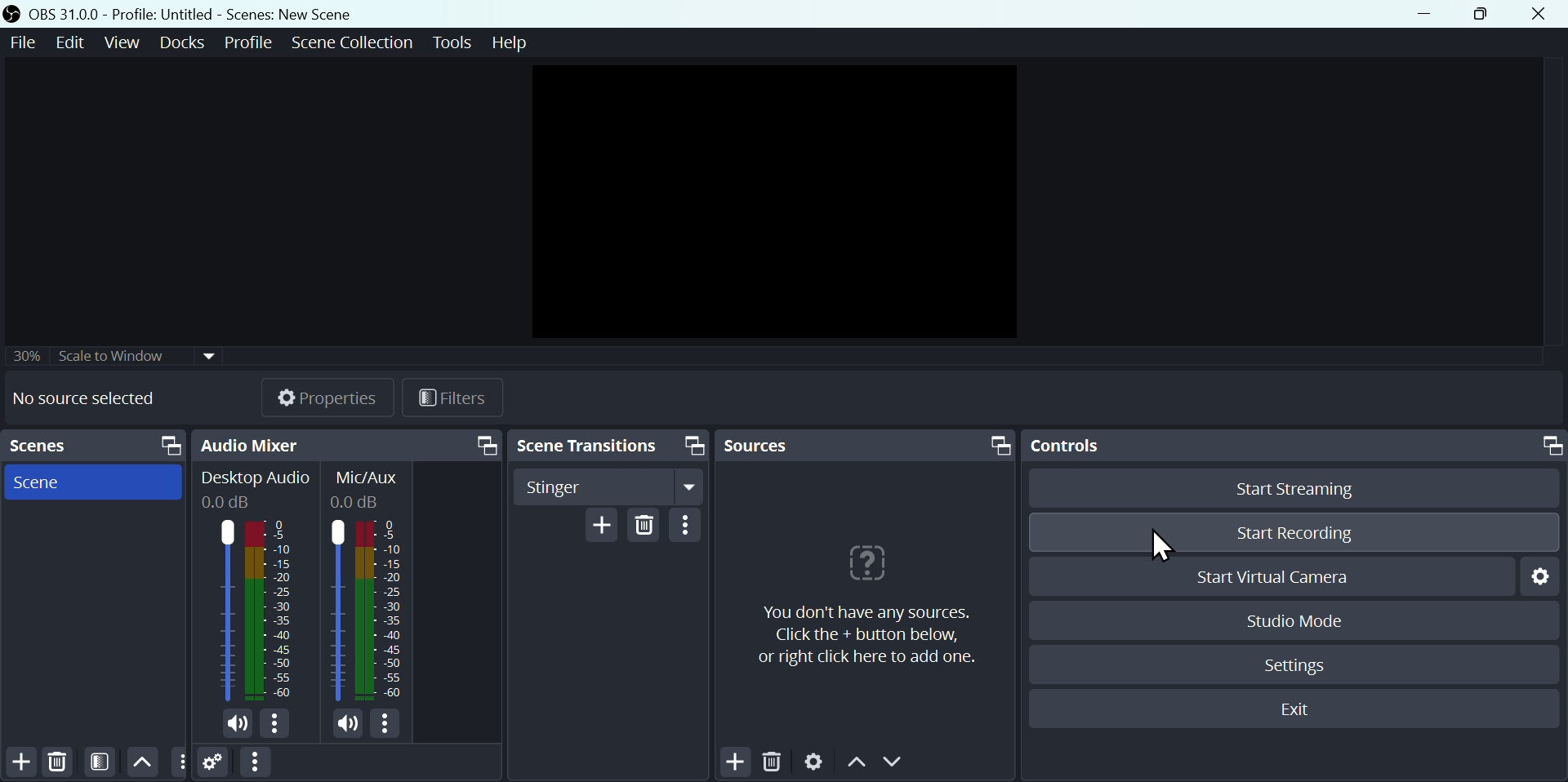 This screenshot has width=1568, height=782. What do you see at coordinates (855, 763) in the screenshot?
I see `up` at bounding box center [855, 763].